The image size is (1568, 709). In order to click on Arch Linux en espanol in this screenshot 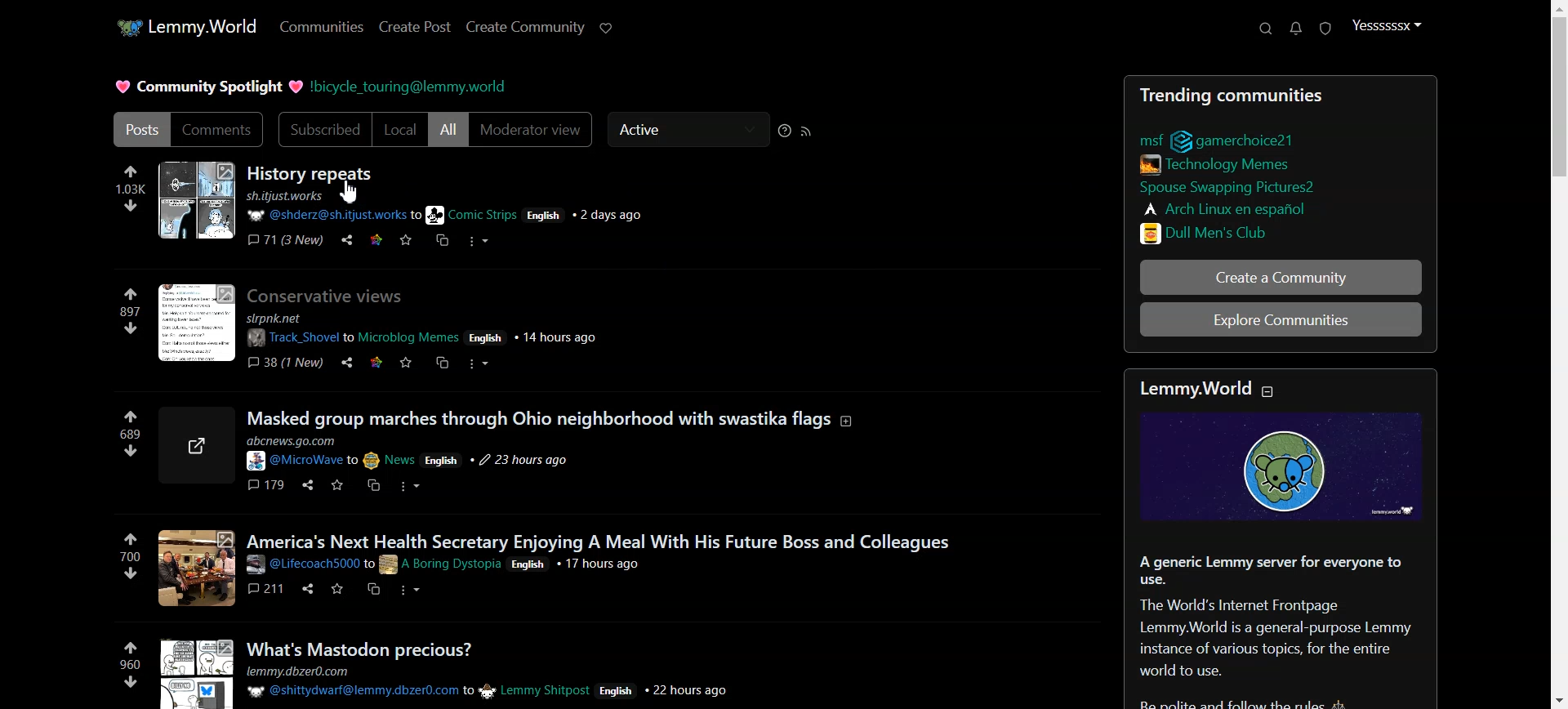, I will do `click(1225, 208)`.